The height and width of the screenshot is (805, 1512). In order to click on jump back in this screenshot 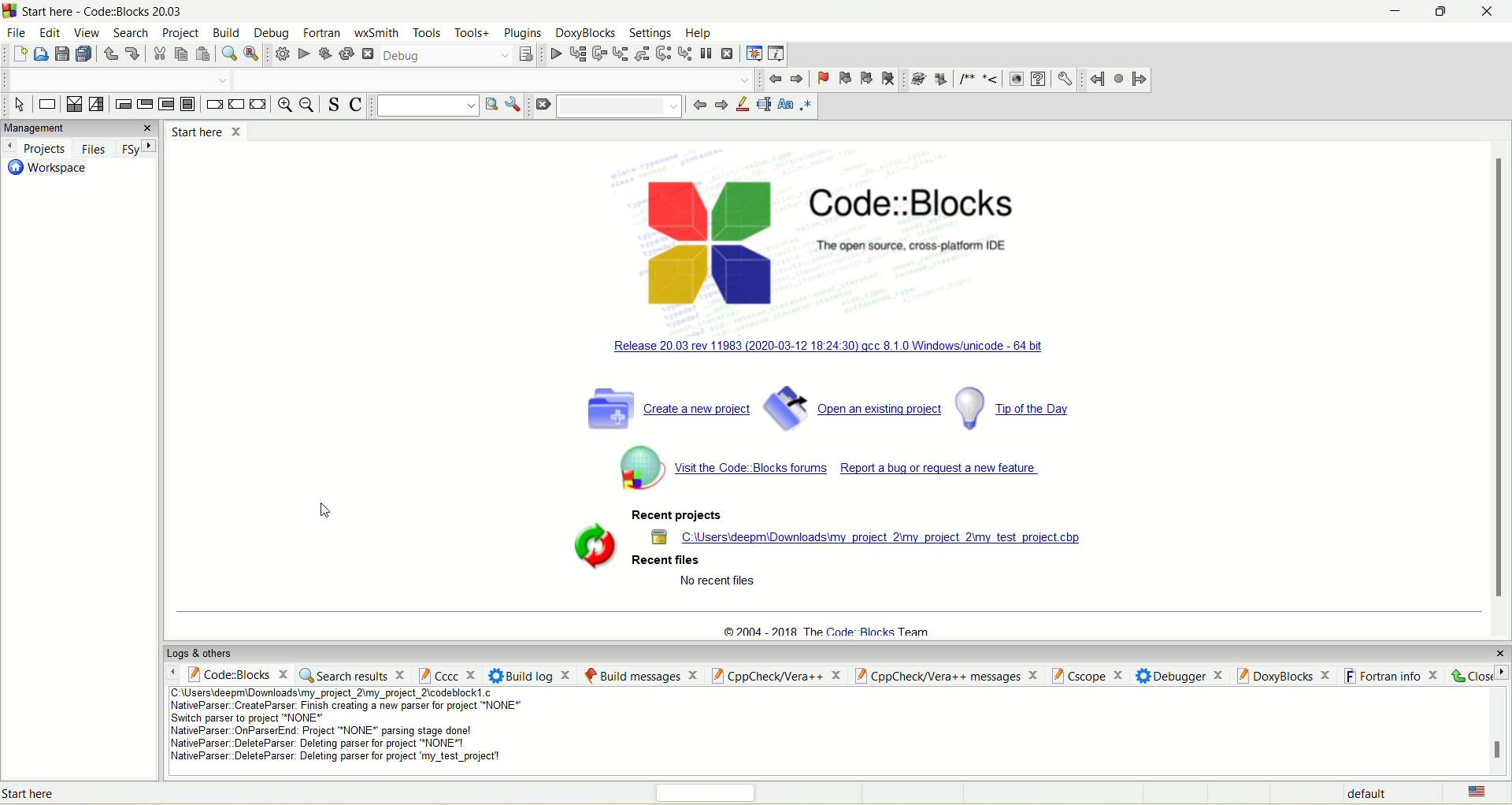, I will do `click(1098, 78)`.